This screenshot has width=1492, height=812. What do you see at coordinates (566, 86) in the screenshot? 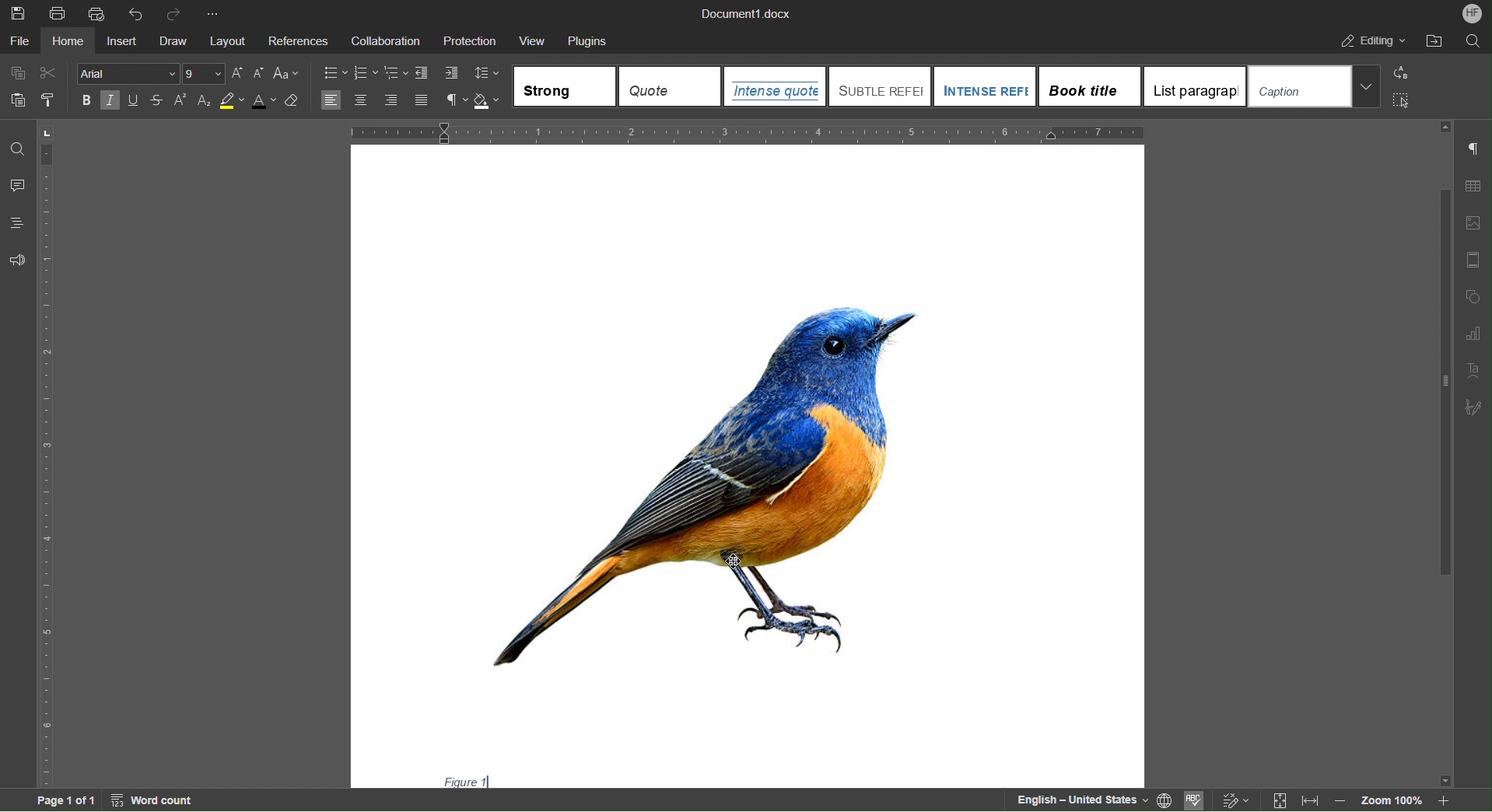
I see `Normal` at bounding box center [566, 86].